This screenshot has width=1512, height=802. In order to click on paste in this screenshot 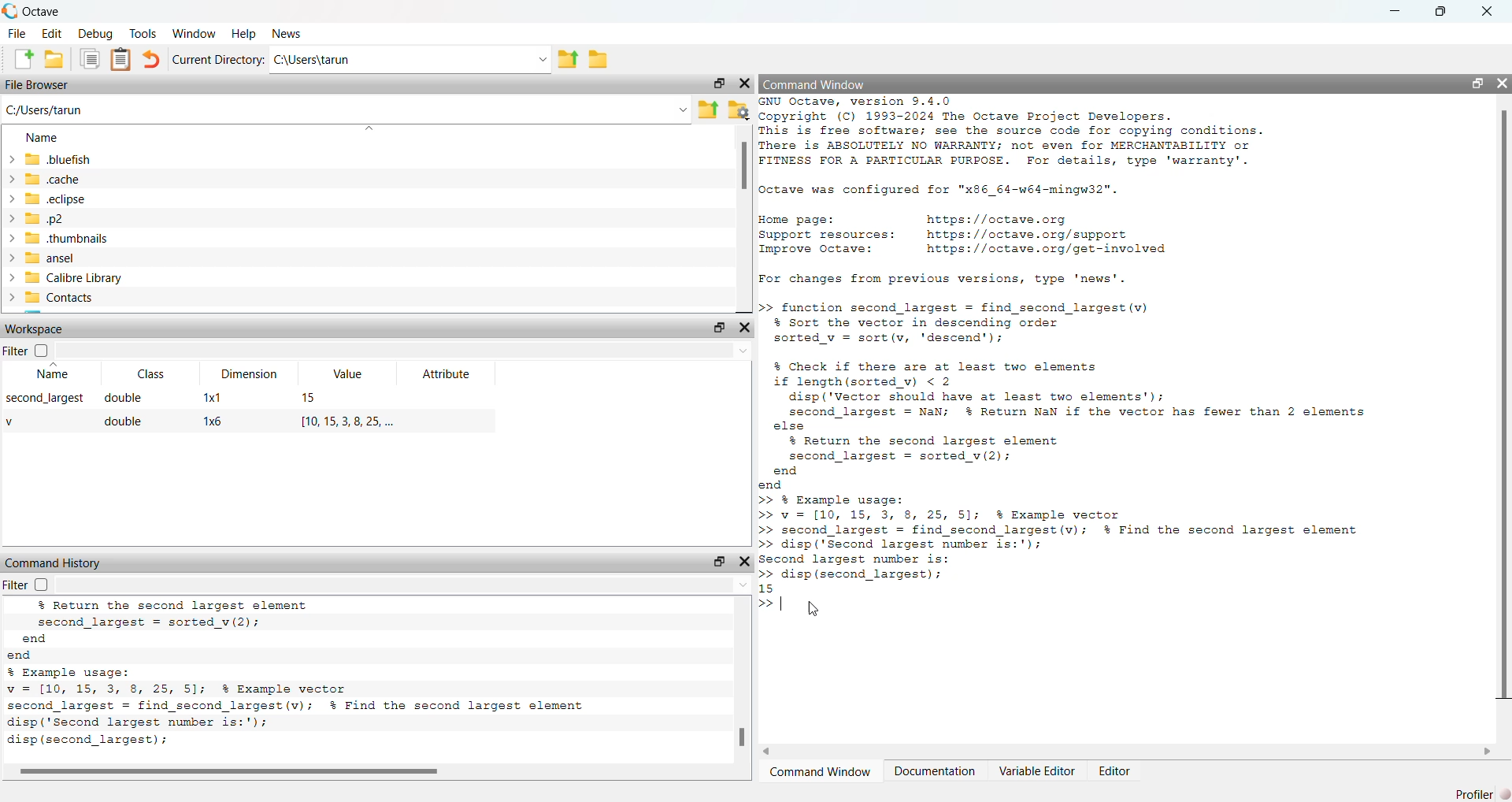, I will do `click(122, 60)`.